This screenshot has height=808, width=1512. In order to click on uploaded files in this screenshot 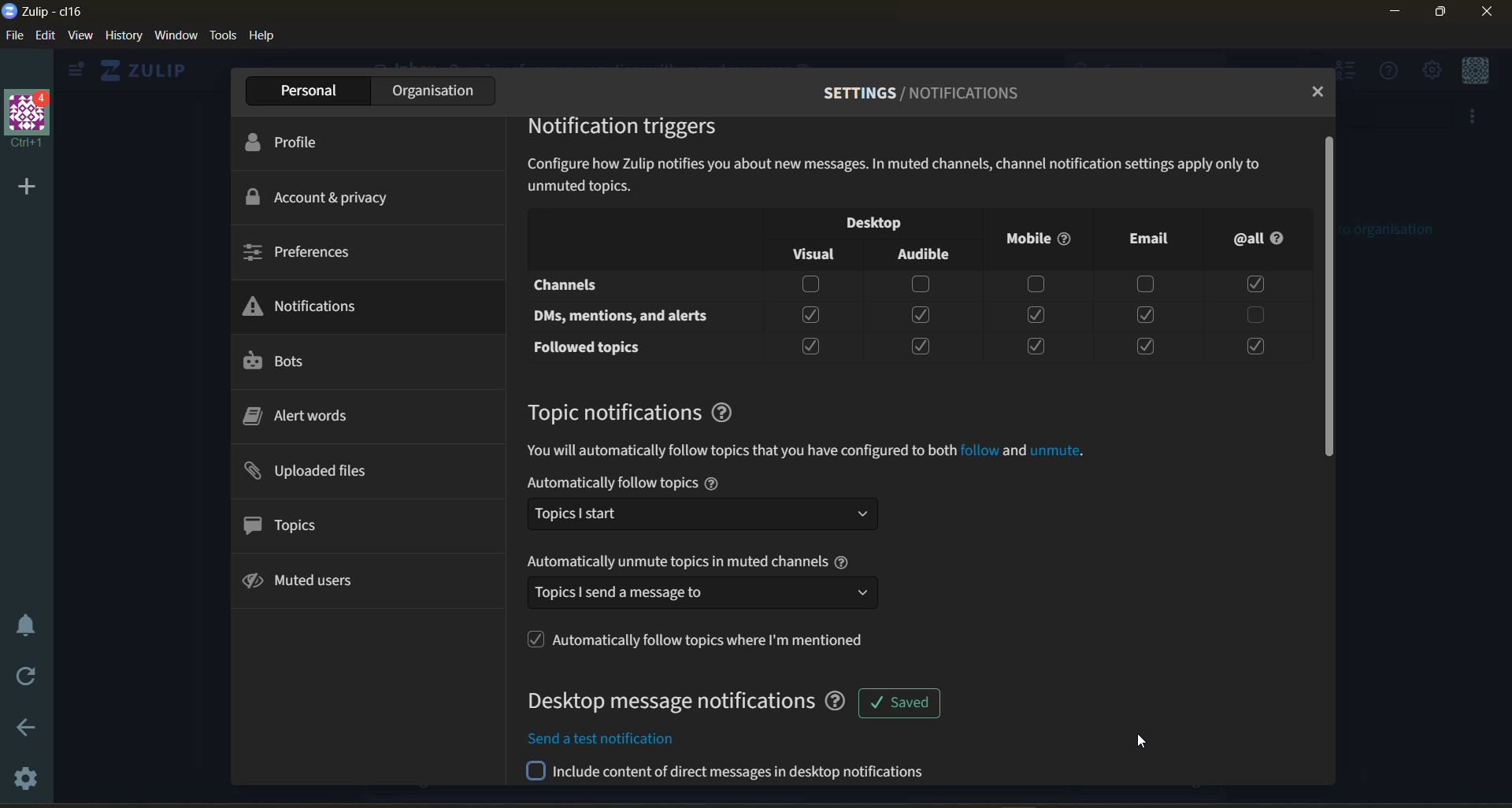, I will do `click(317, 471)`.